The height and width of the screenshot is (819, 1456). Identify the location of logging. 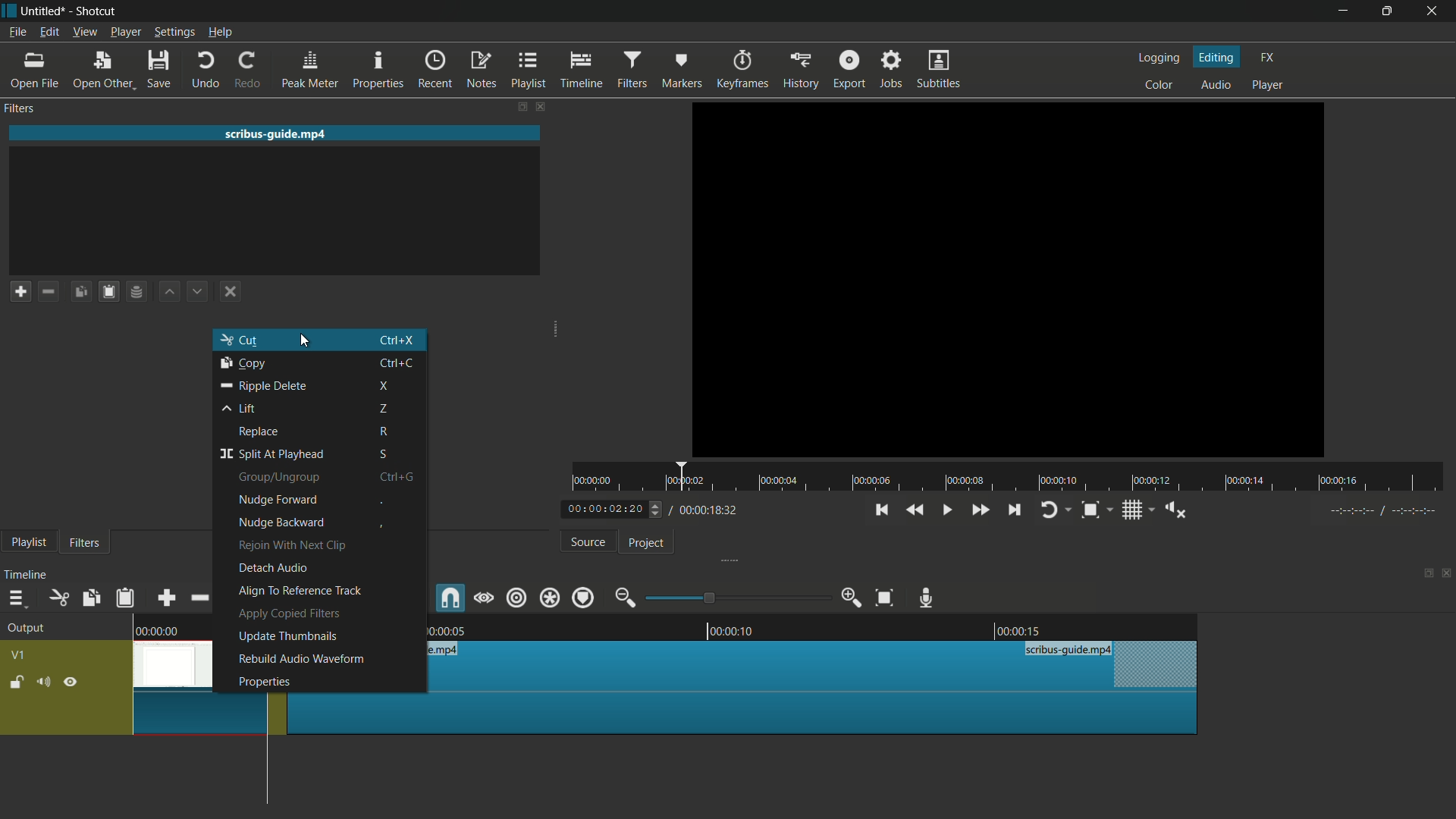
(1157, 58).